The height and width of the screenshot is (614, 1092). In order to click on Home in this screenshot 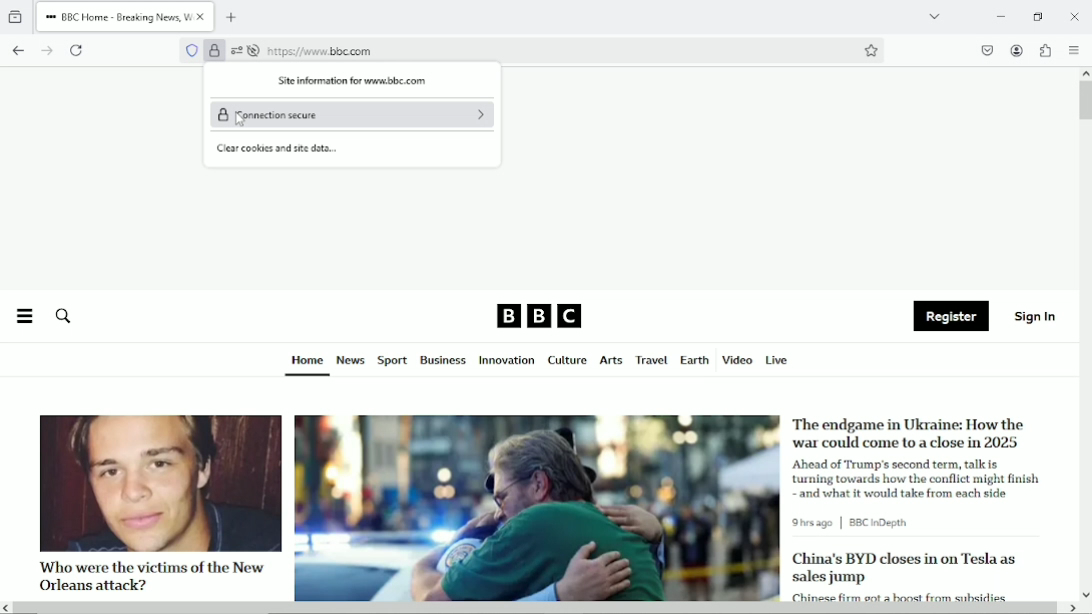, I will do `click(306, 360)`.